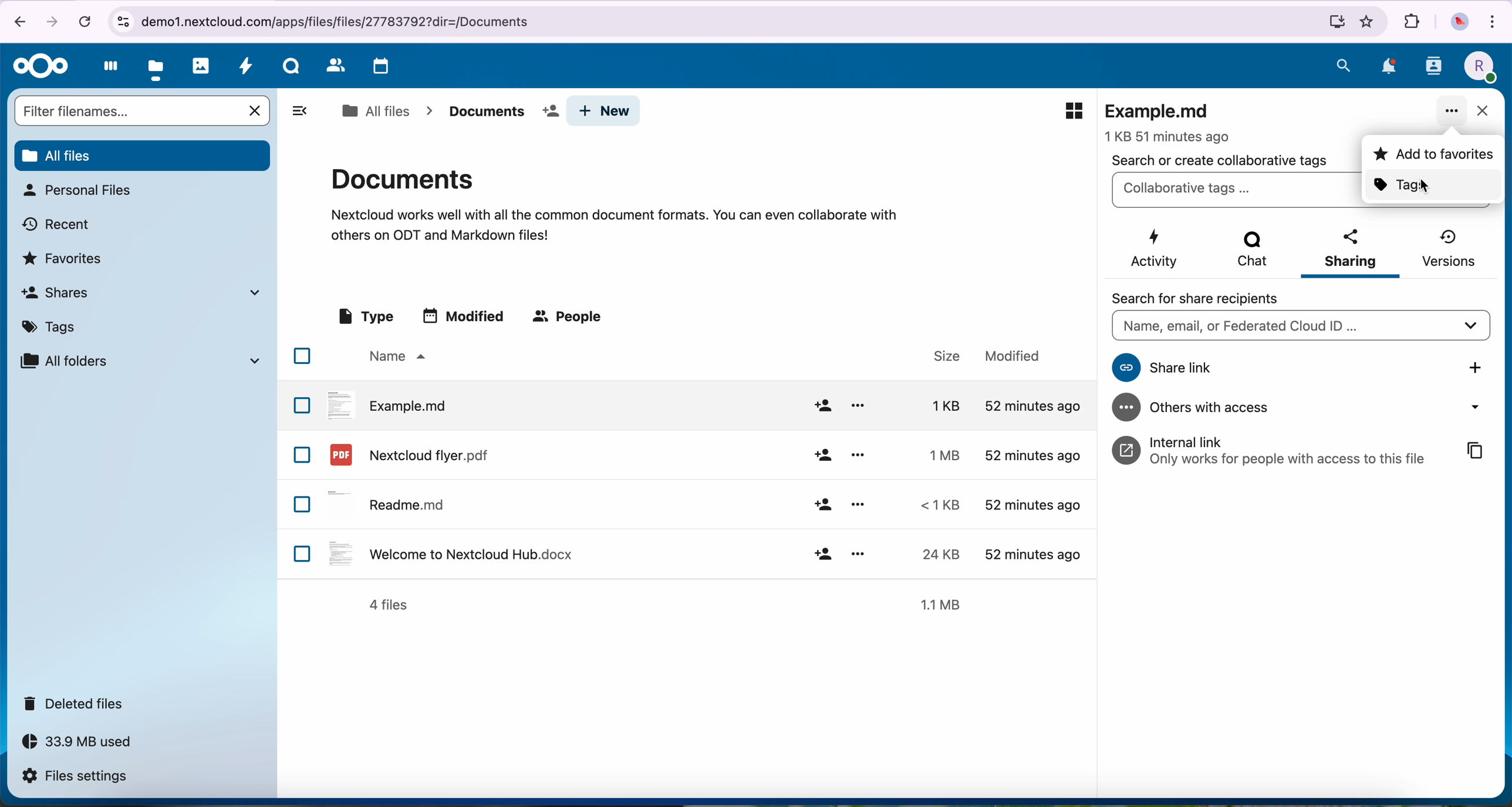 This screenshot has height=807, width=1512. Describe the element at coordinates (858, 406) in the screenshot. I see `options` at that location.